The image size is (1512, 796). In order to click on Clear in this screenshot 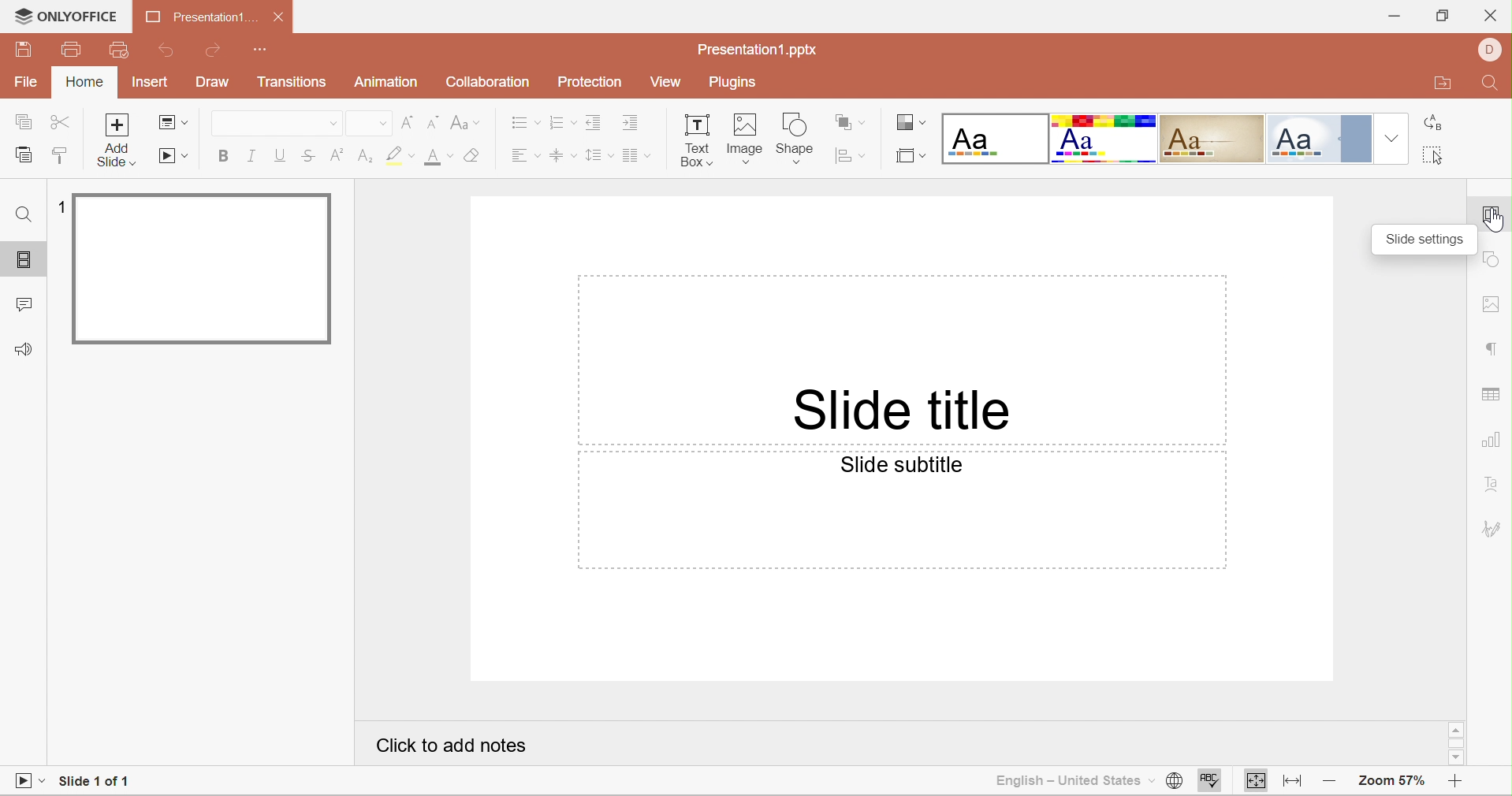, I will do `click(473, 157)`.